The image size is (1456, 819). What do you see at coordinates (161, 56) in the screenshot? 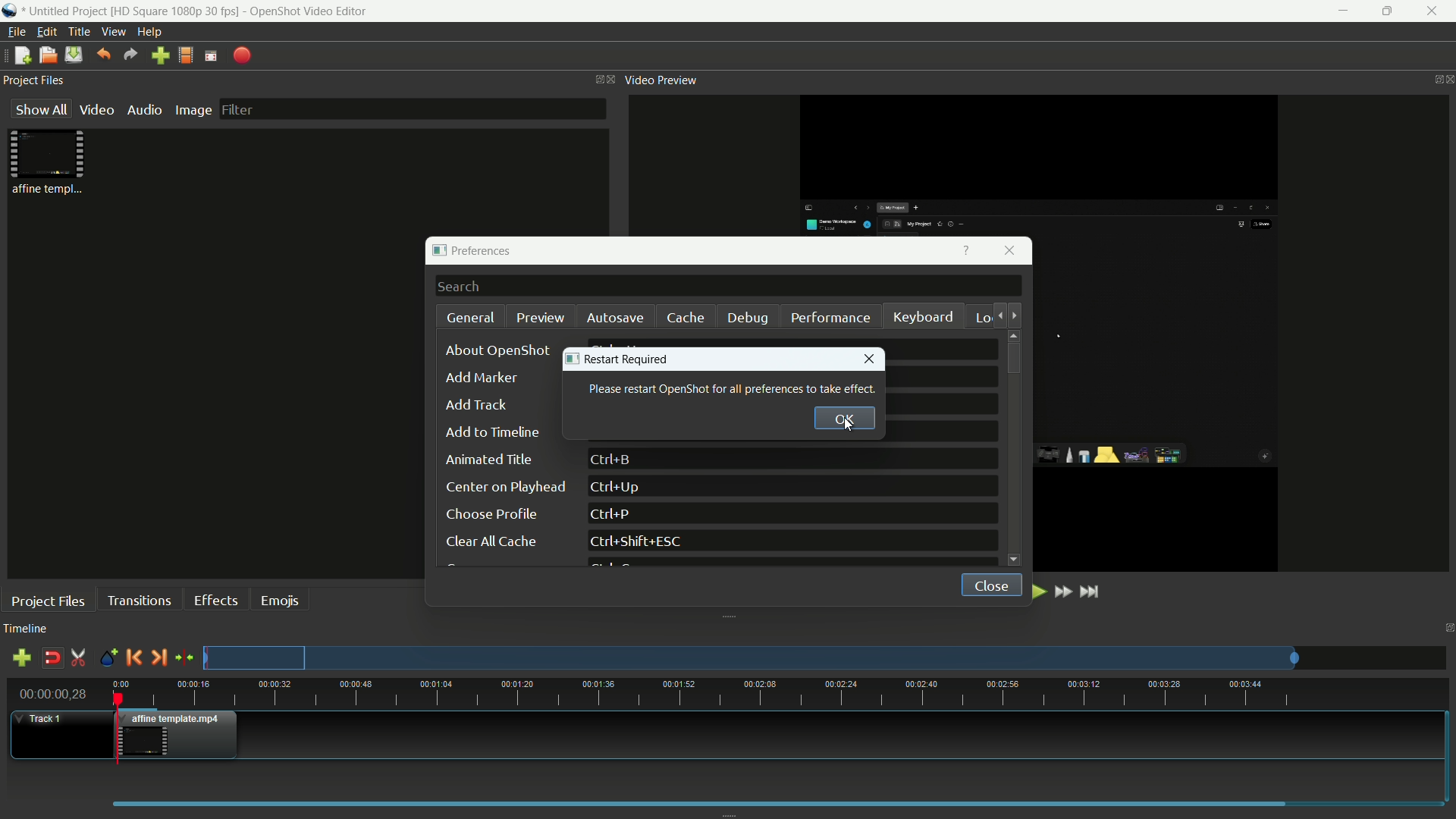
I see `import file` at bounding box center [161, 56].